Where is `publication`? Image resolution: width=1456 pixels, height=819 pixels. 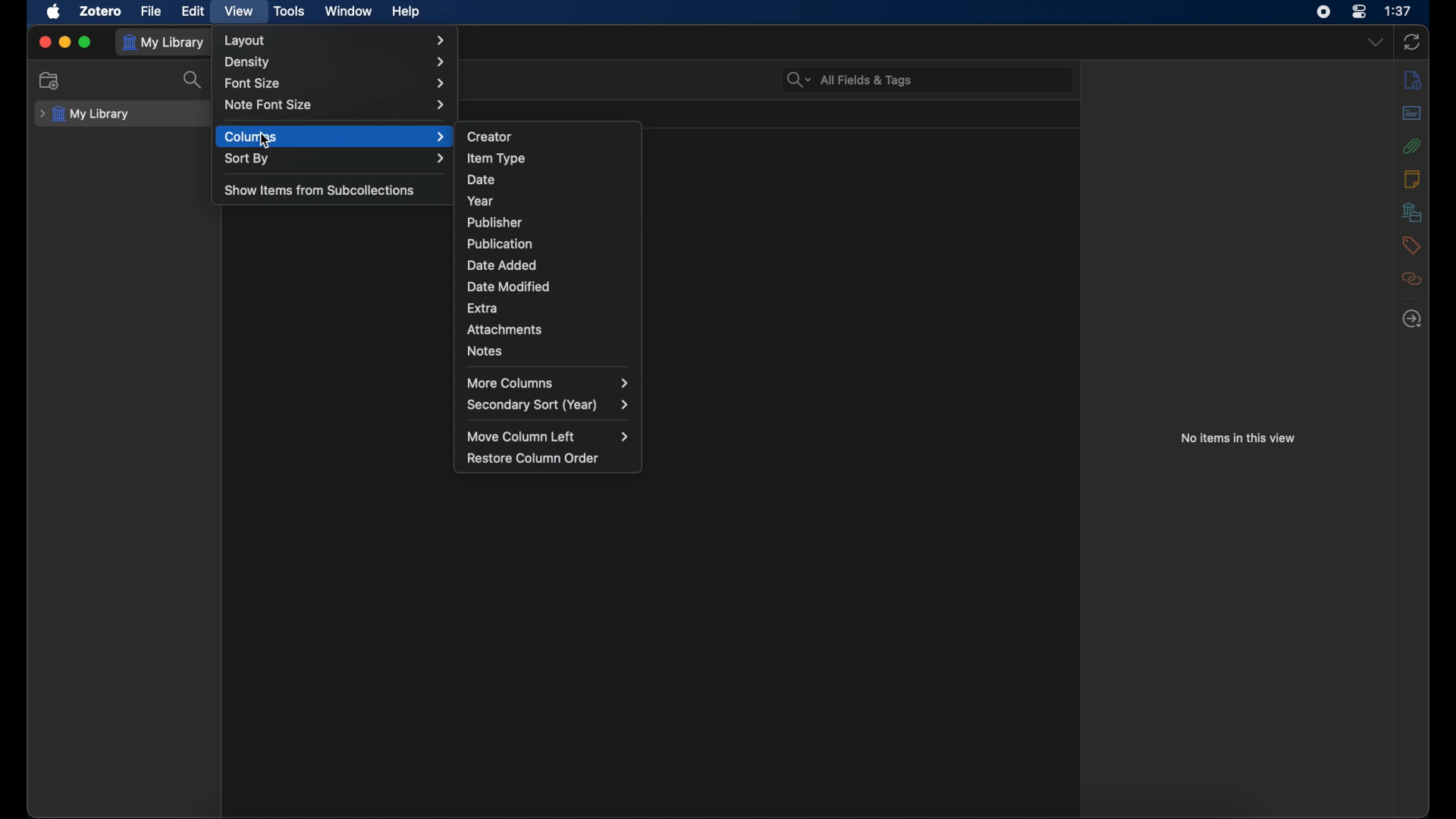
publication is located at coordinates (501, 243).